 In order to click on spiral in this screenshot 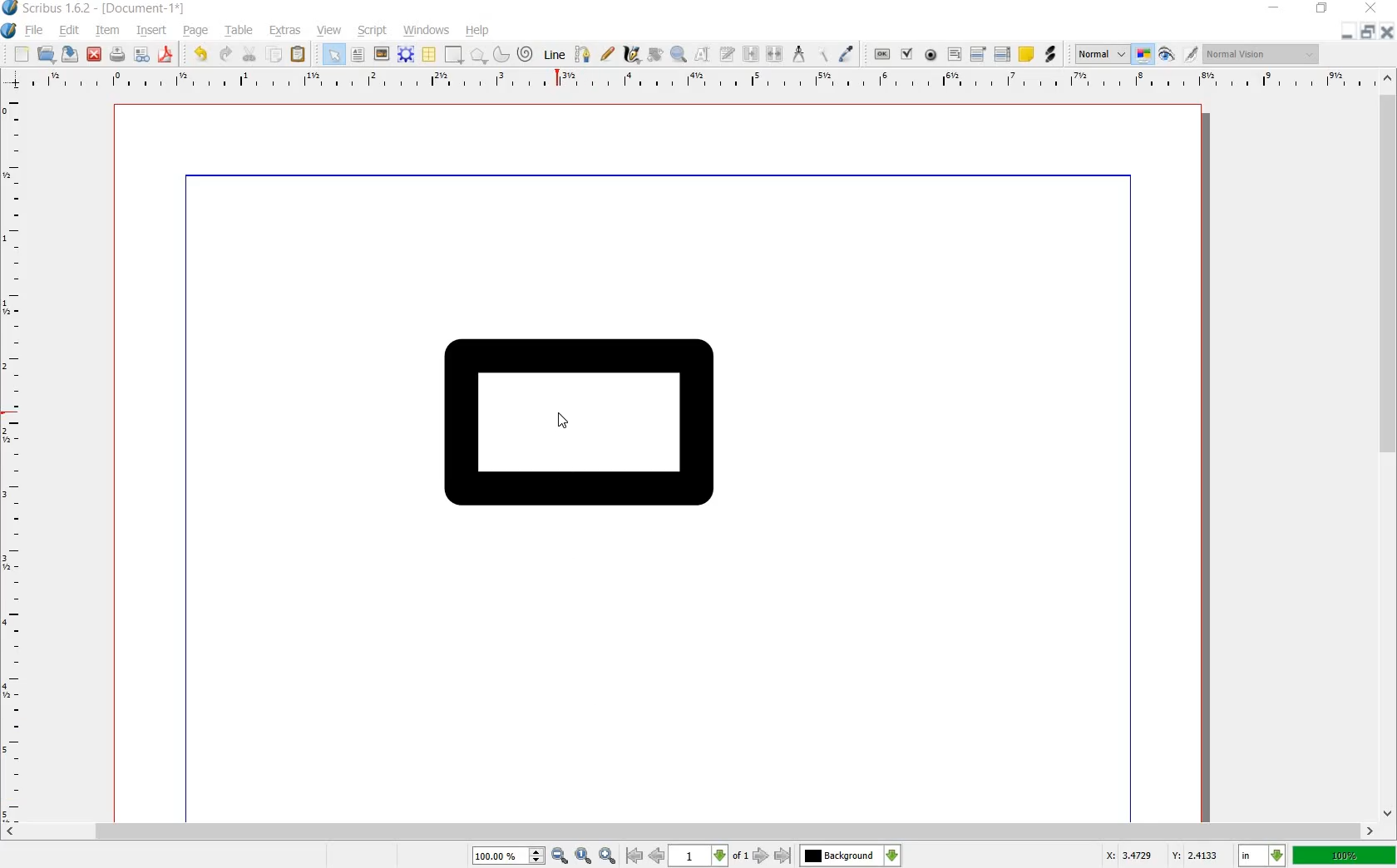, I will do `click(525, 53)`.